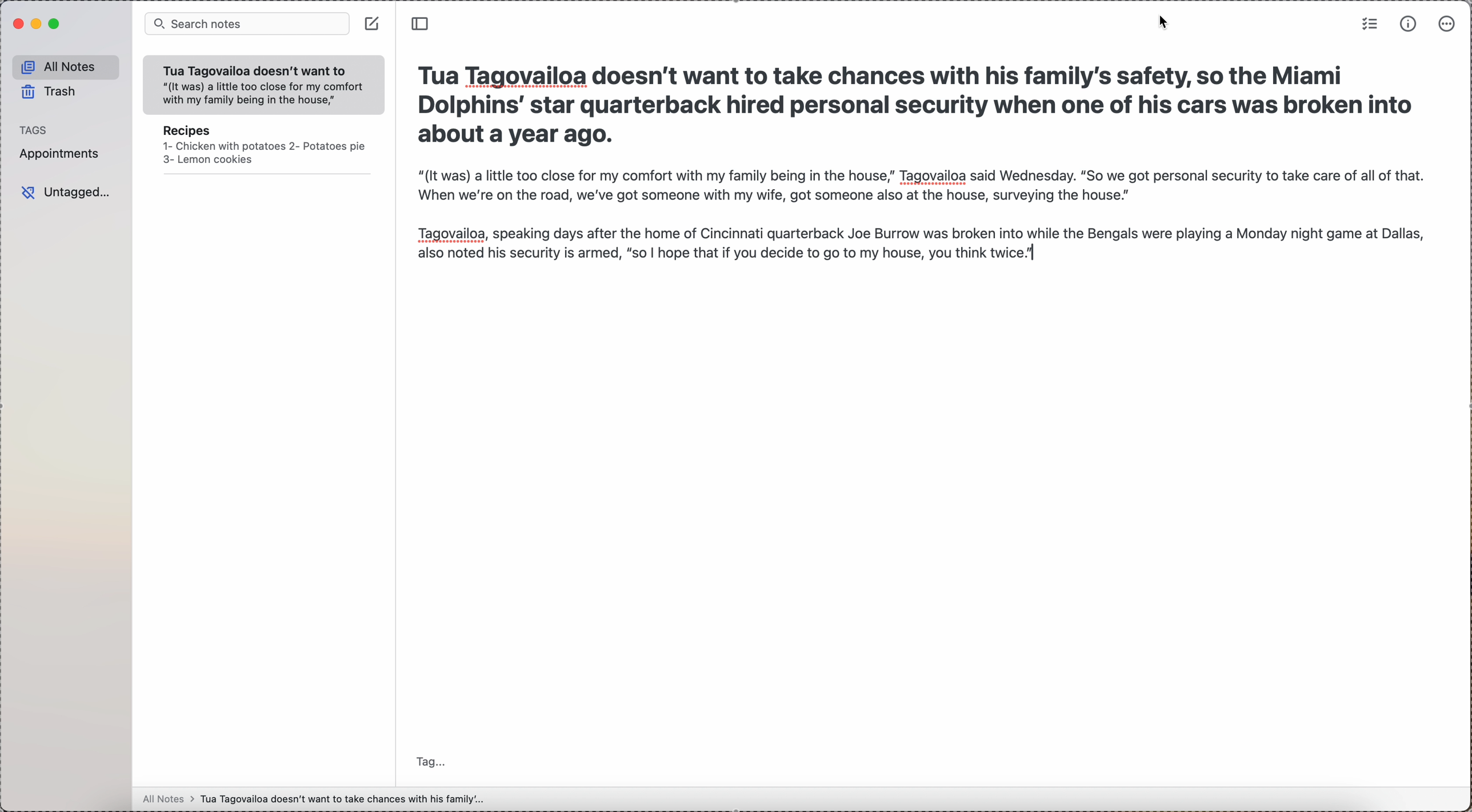 The height and width of the screenshot is (812, 1472). I want to click on untagged, so click(66, 190).